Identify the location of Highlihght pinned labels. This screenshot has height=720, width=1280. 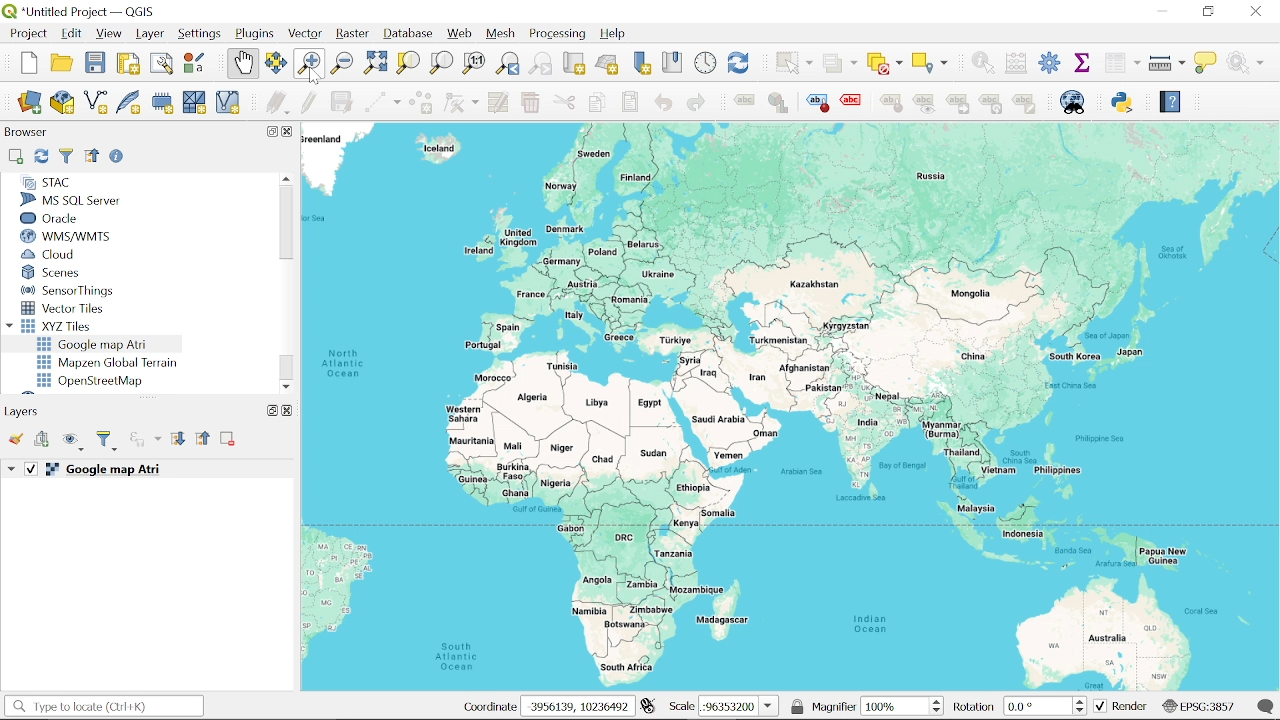
(817, 103).